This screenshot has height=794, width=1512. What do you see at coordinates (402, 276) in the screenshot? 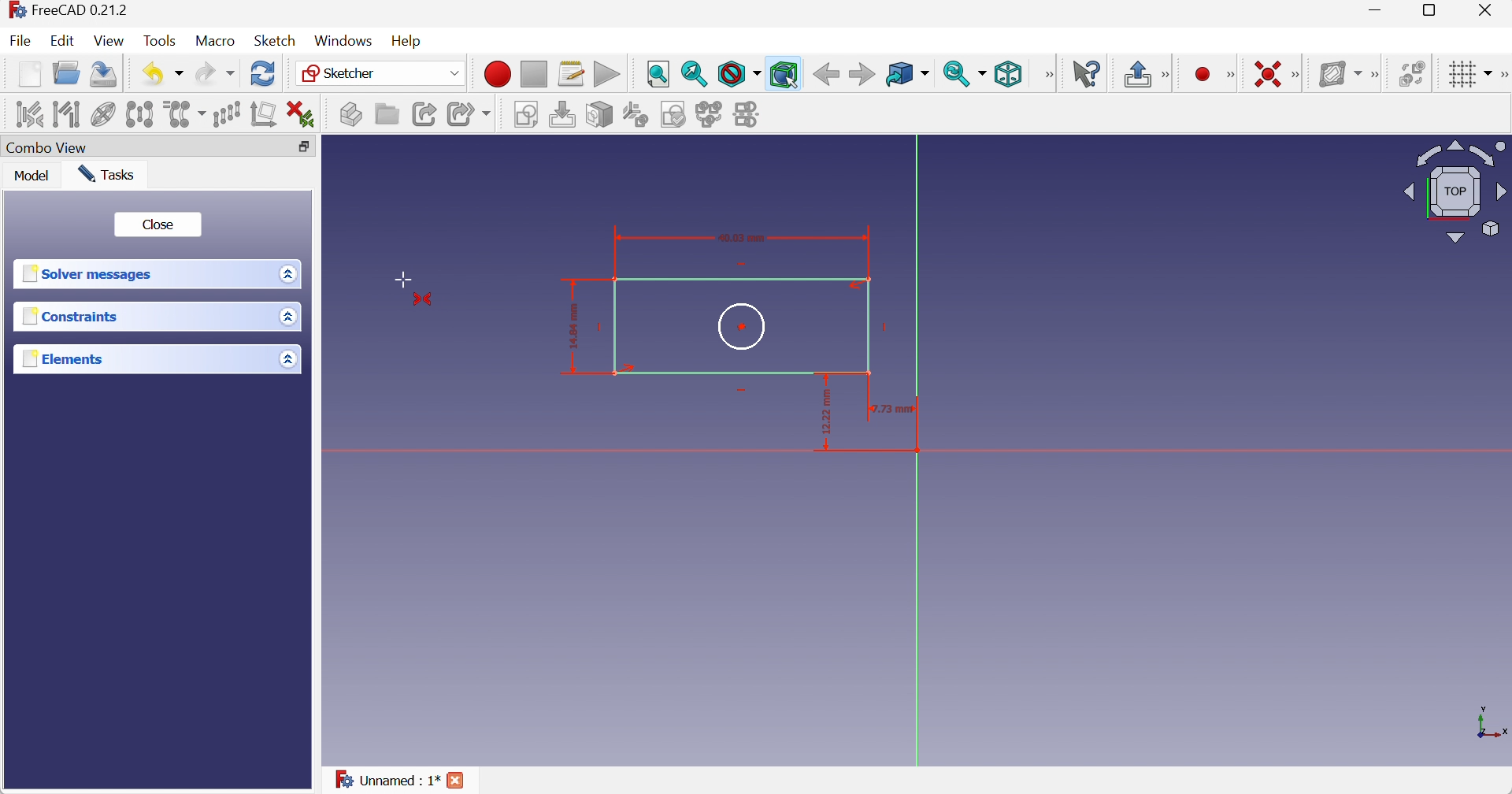
I see `Cursor` at bounding box center [402, 276].